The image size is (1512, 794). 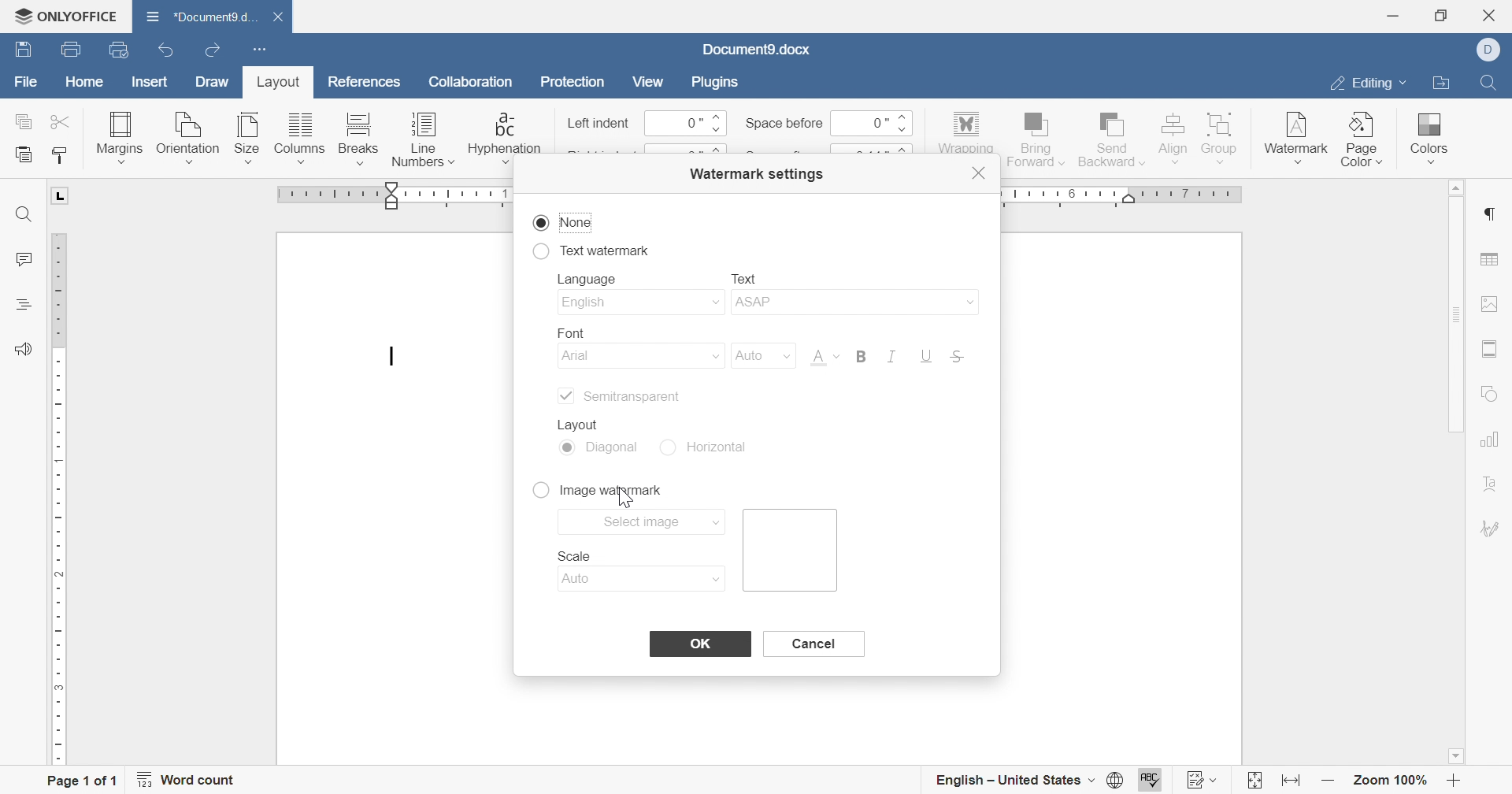 What do you see at coordinates (187, 139) in the screenshot?
I see `orientation` at bounding box center [187, 139].